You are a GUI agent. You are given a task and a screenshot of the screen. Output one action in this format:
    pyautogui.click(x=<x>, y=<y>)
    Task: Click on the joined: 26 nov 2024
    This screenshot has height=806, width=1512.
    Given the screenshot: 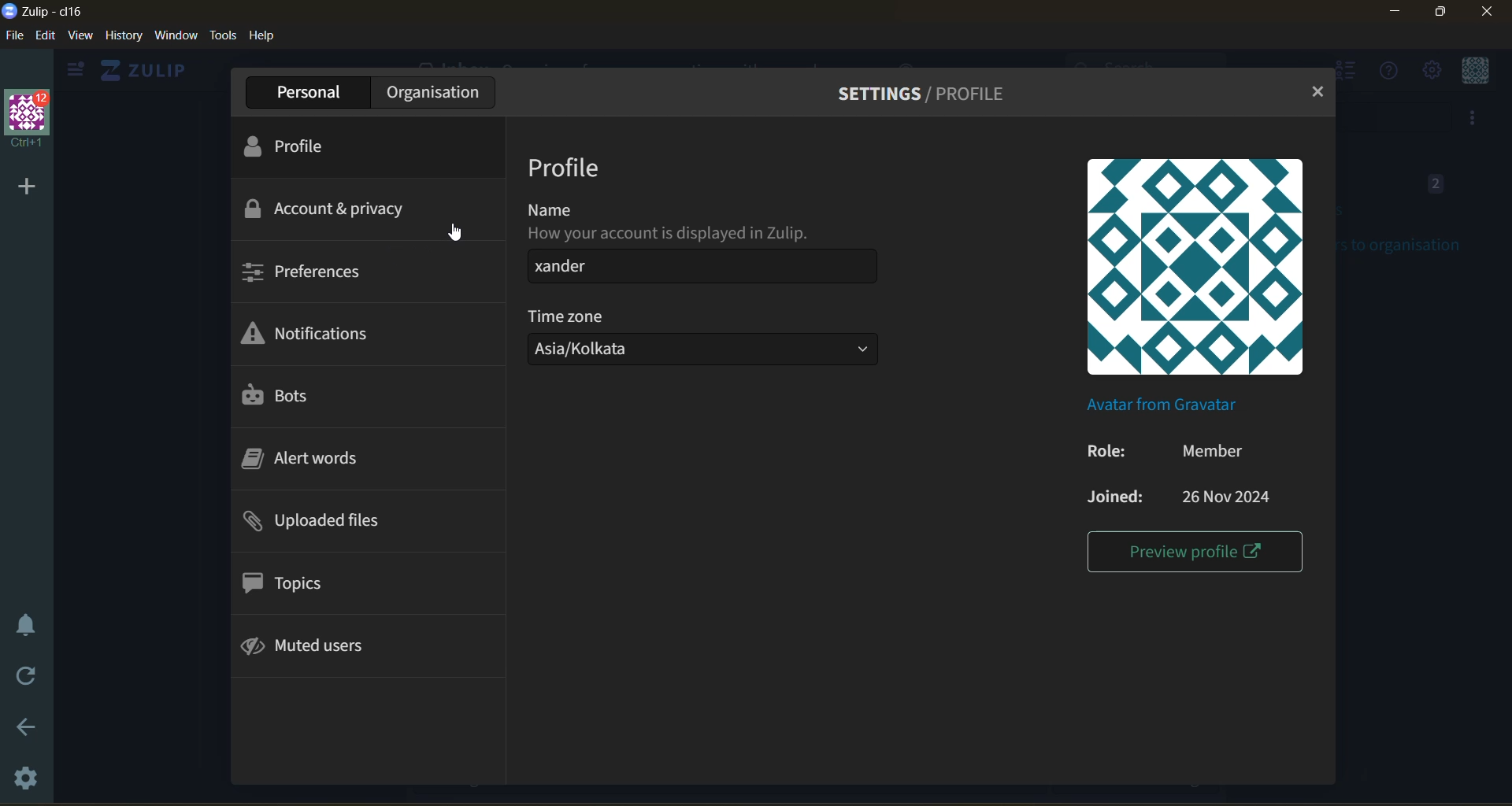 What is the action you would take?
    pyautogui.click(x=1180, y=501)
    